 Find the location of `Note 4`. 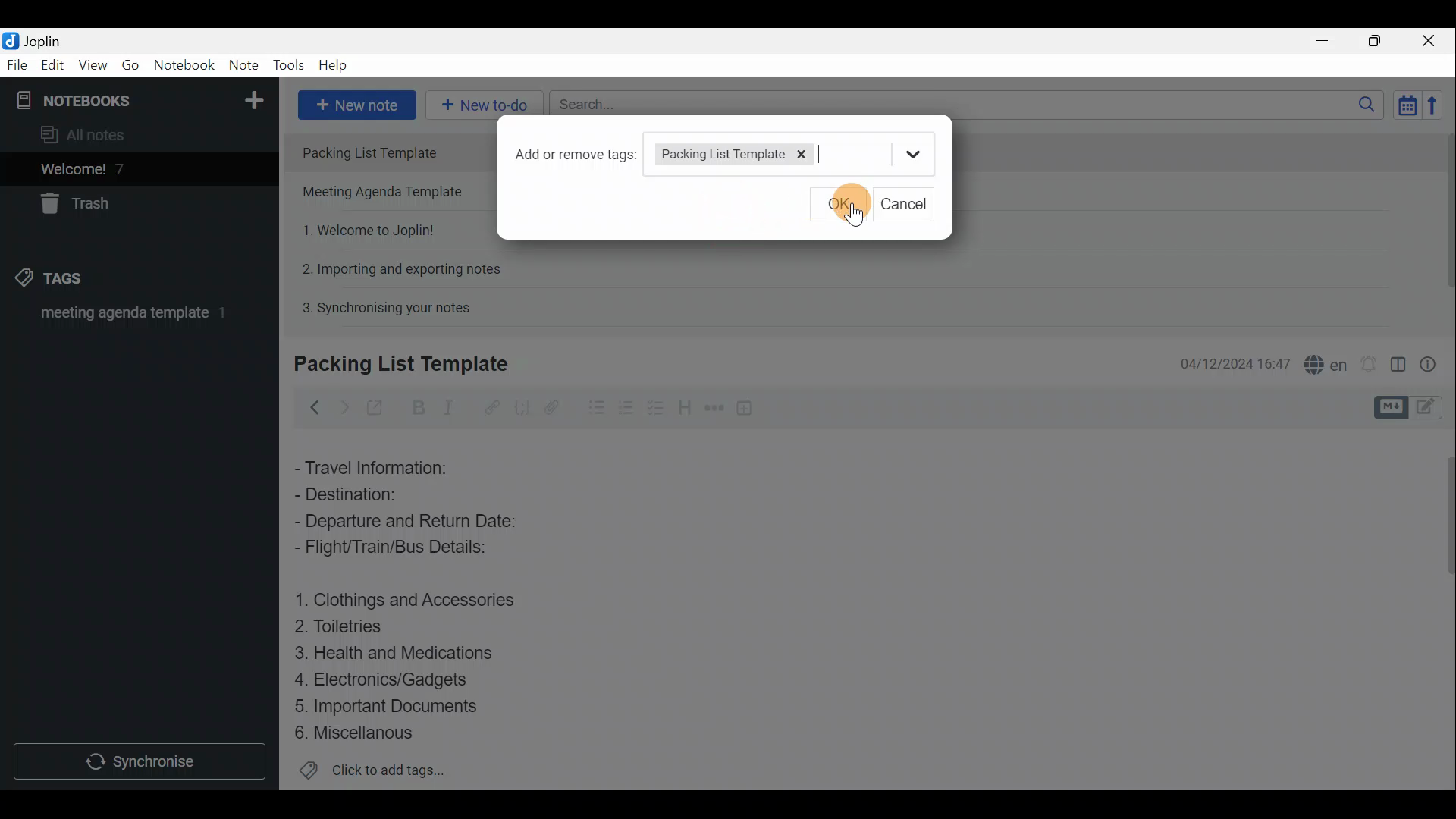

Note 4 is located at coordinates (394, 266).